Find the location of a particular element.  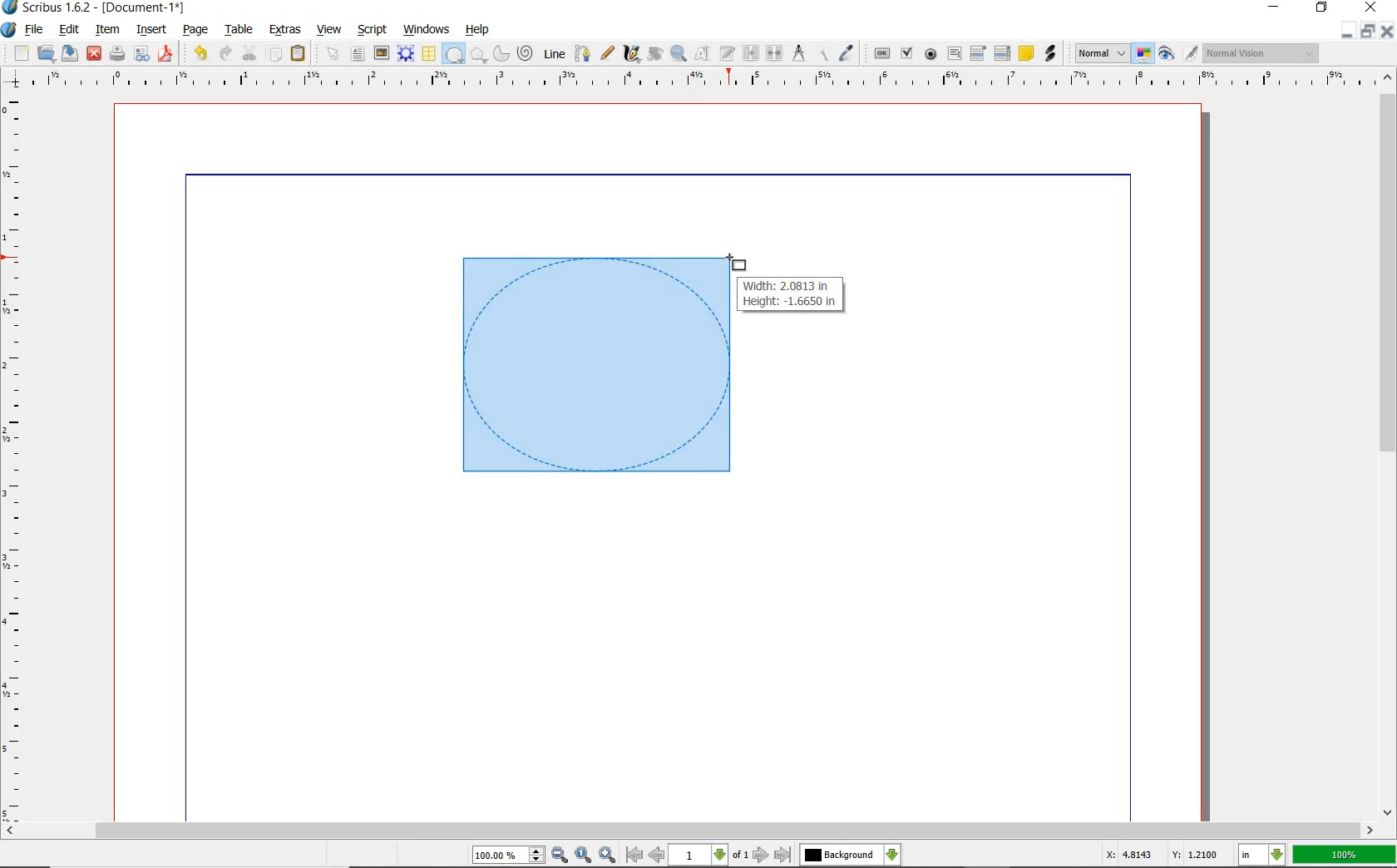

EDIT IN PREVIEW MODE is located at coordinates (1190, 52).